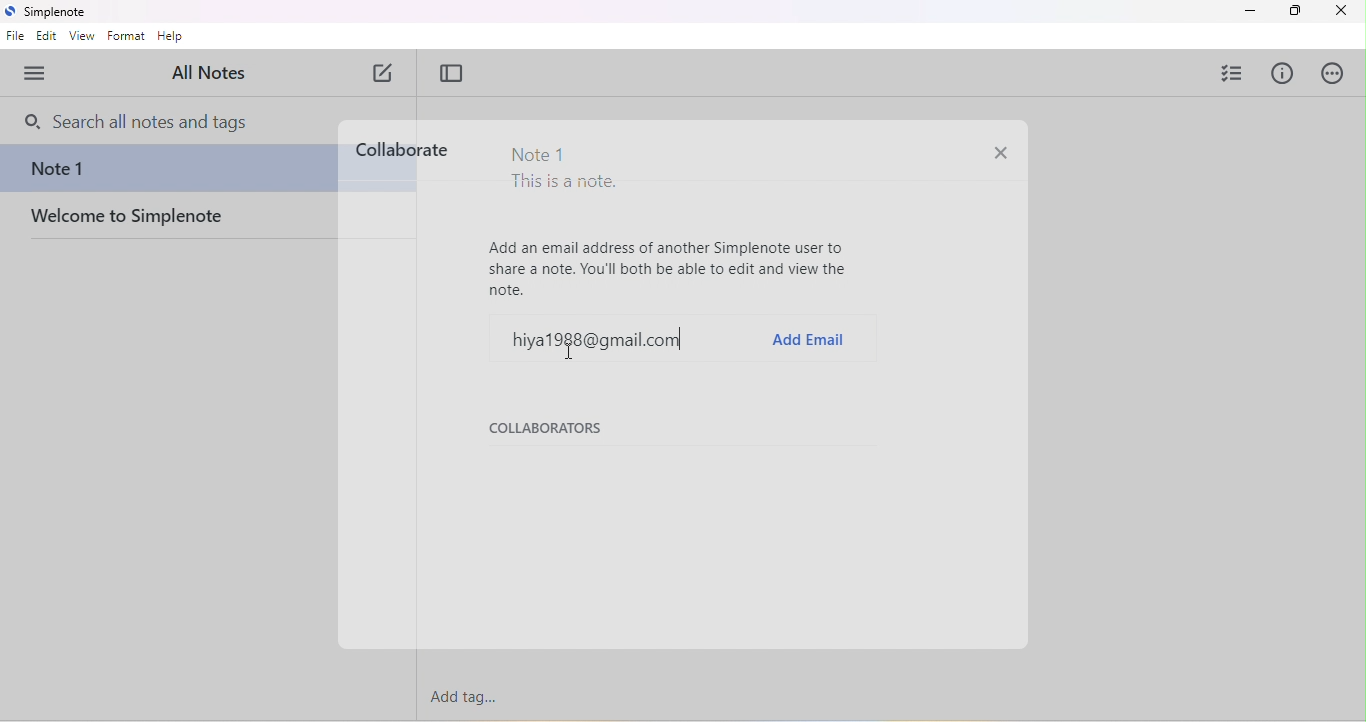 This screenshot has width=1366, height=722. What do you see at coordinates (1249, 12) in the screenshot?
I see `minimize` at bounding box center [1249, 12].